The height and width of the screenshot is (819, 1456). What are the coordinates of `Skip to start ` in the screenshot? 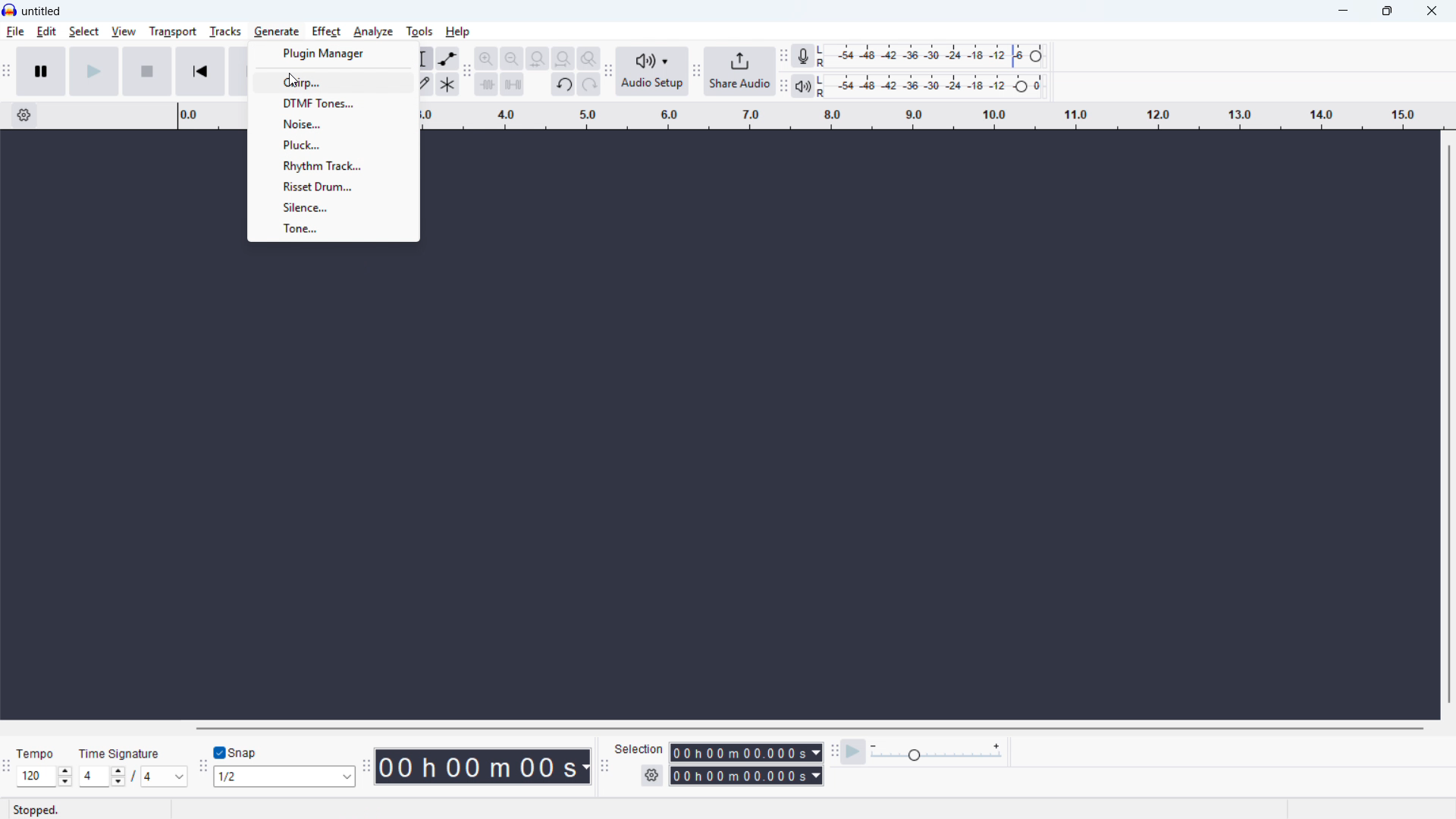 It's located at (200, 71).